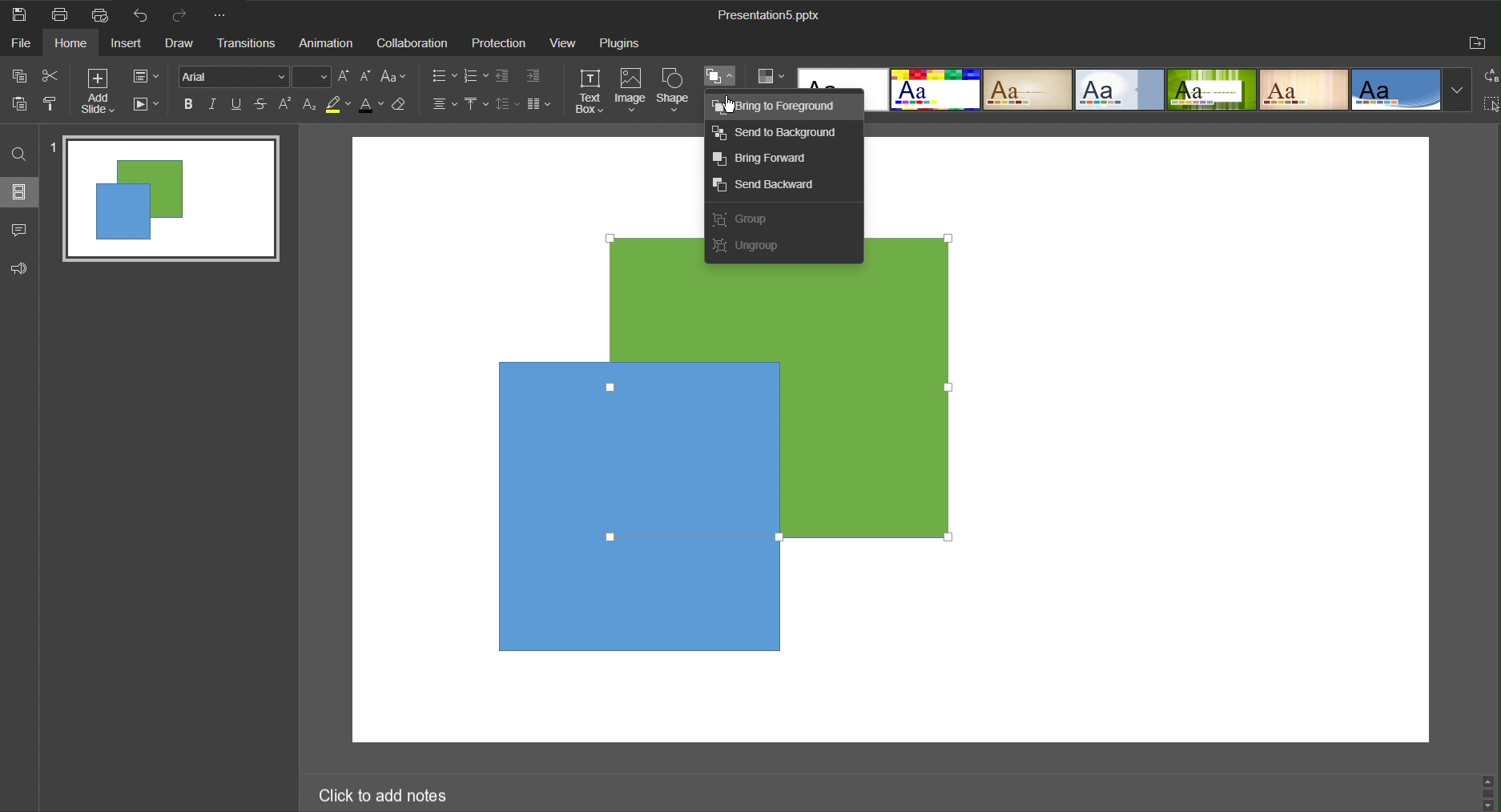 The width and height of the screenshot is (1501, 812). What do you see at coordinates (237, 104) in the screenshot?
I see `underline` at bounding box center [237, 104].